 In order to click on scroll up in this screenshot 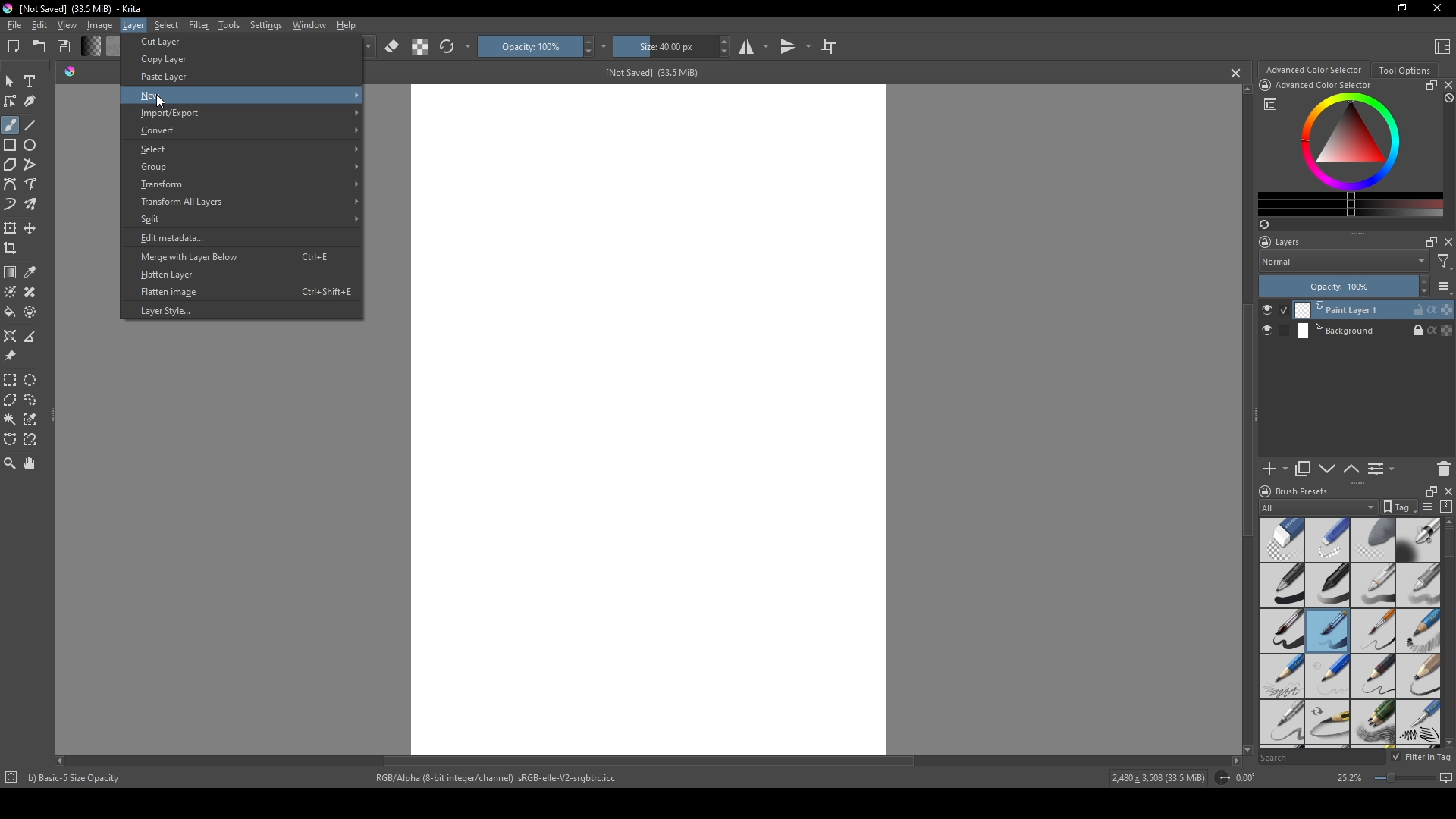, I will do `click(1244, 89)`.